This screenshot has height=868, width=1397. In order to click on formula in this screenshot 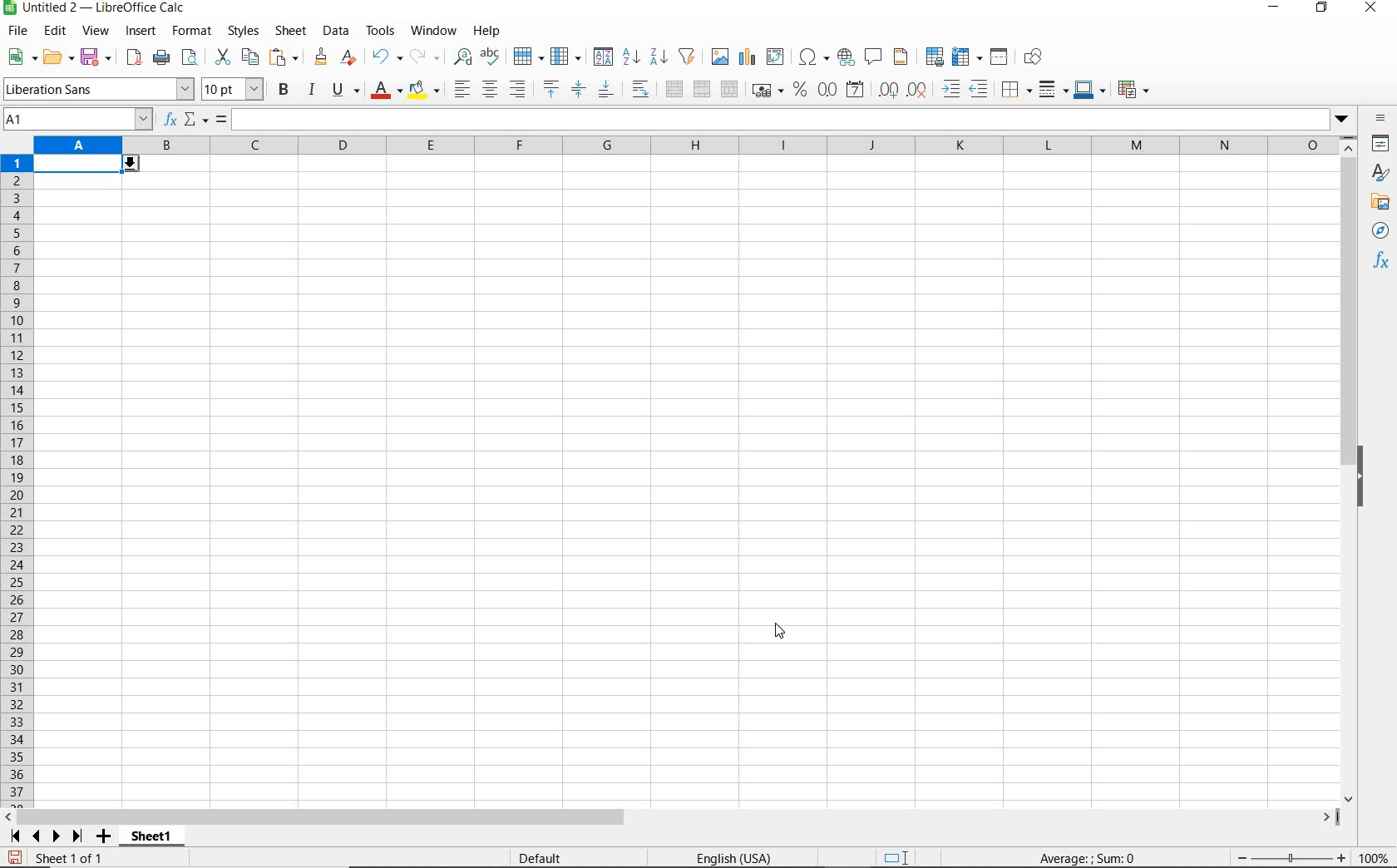, I will do `click(1088, 857)`.